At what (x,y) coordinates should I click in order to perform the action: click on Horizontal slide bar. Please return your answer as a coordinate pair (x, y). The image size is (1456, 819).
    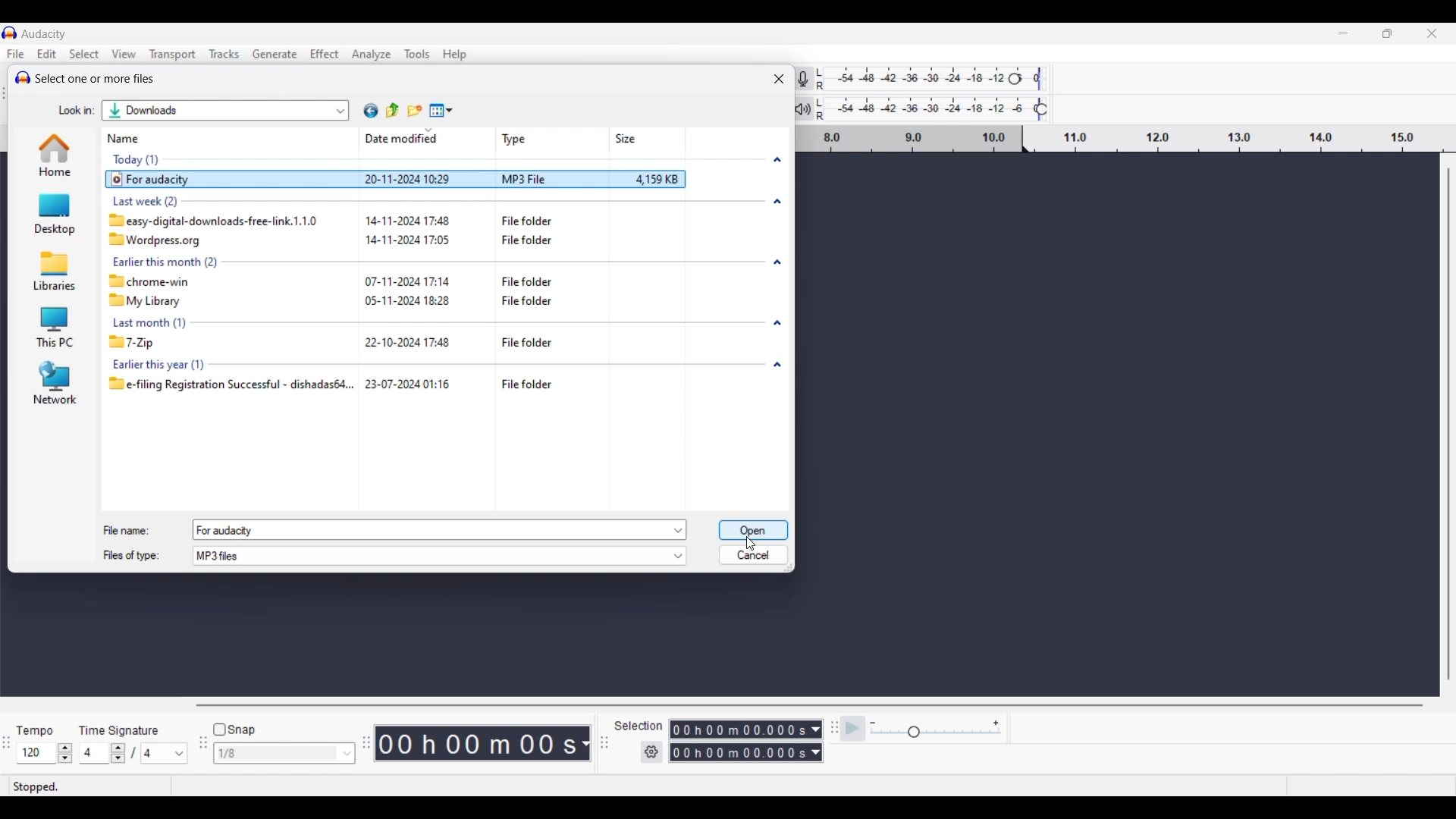
    Looking at the image, I should click on (808, 706).